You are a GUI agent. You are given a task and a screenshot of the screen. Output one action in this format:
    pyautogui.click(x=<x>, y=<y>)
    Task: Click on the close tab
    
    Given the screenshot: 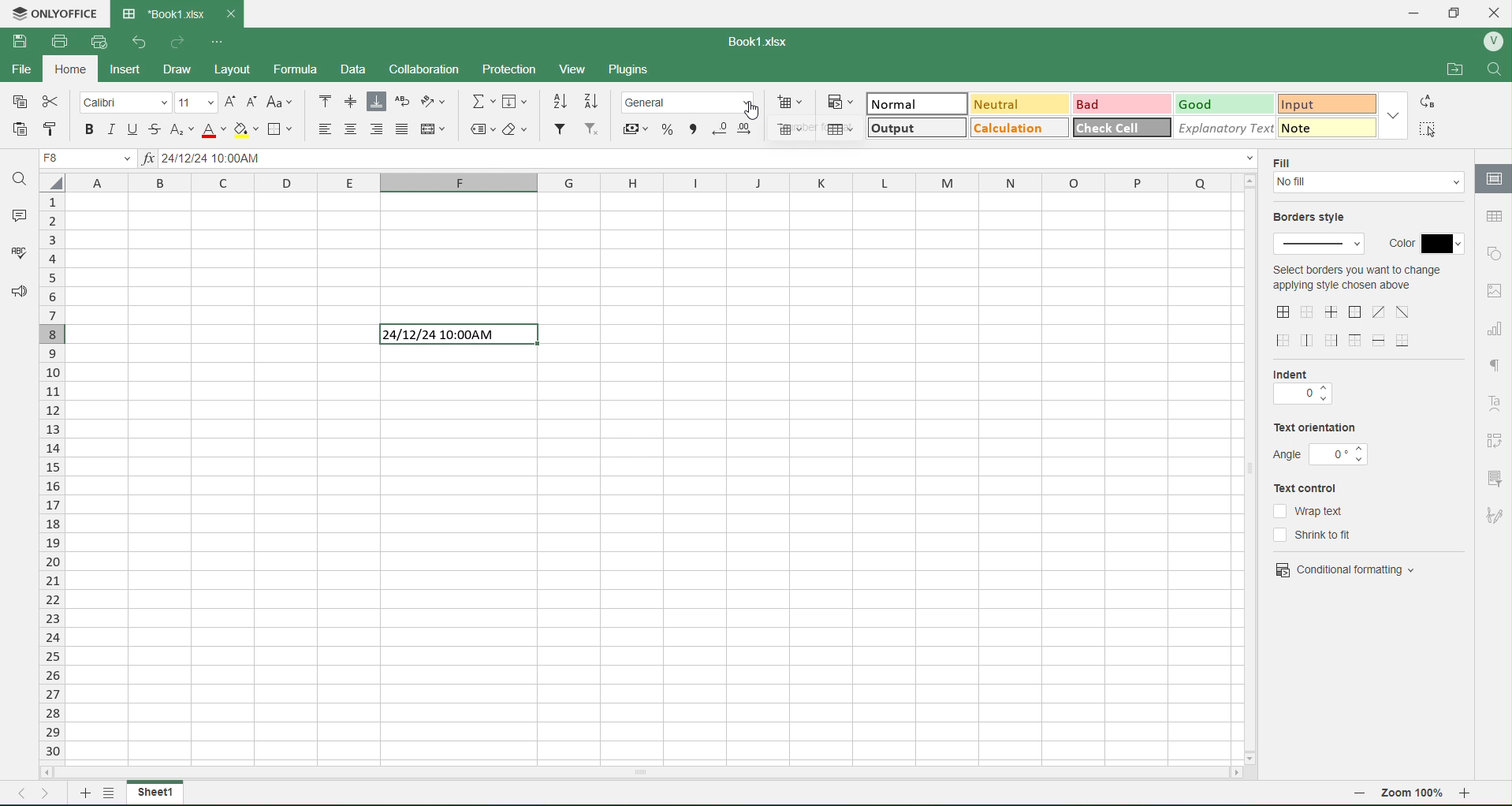 What is the action you would take?
    pyautogui.click(x=236, y=13)
    